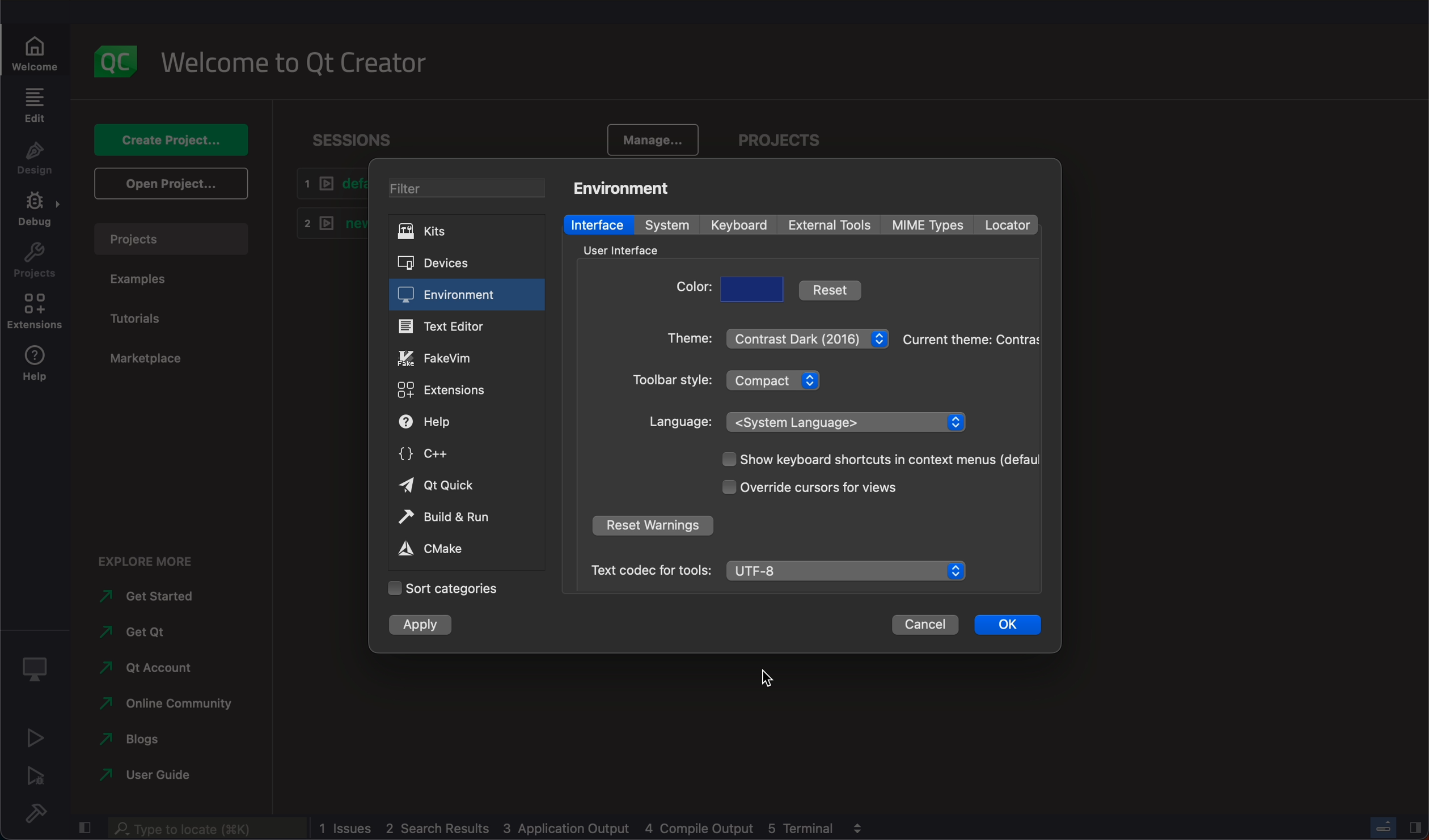 The image size is (1429, 840). Describe the element at coordinates (116, 55) in the screenshot. I see `logo` at that location.